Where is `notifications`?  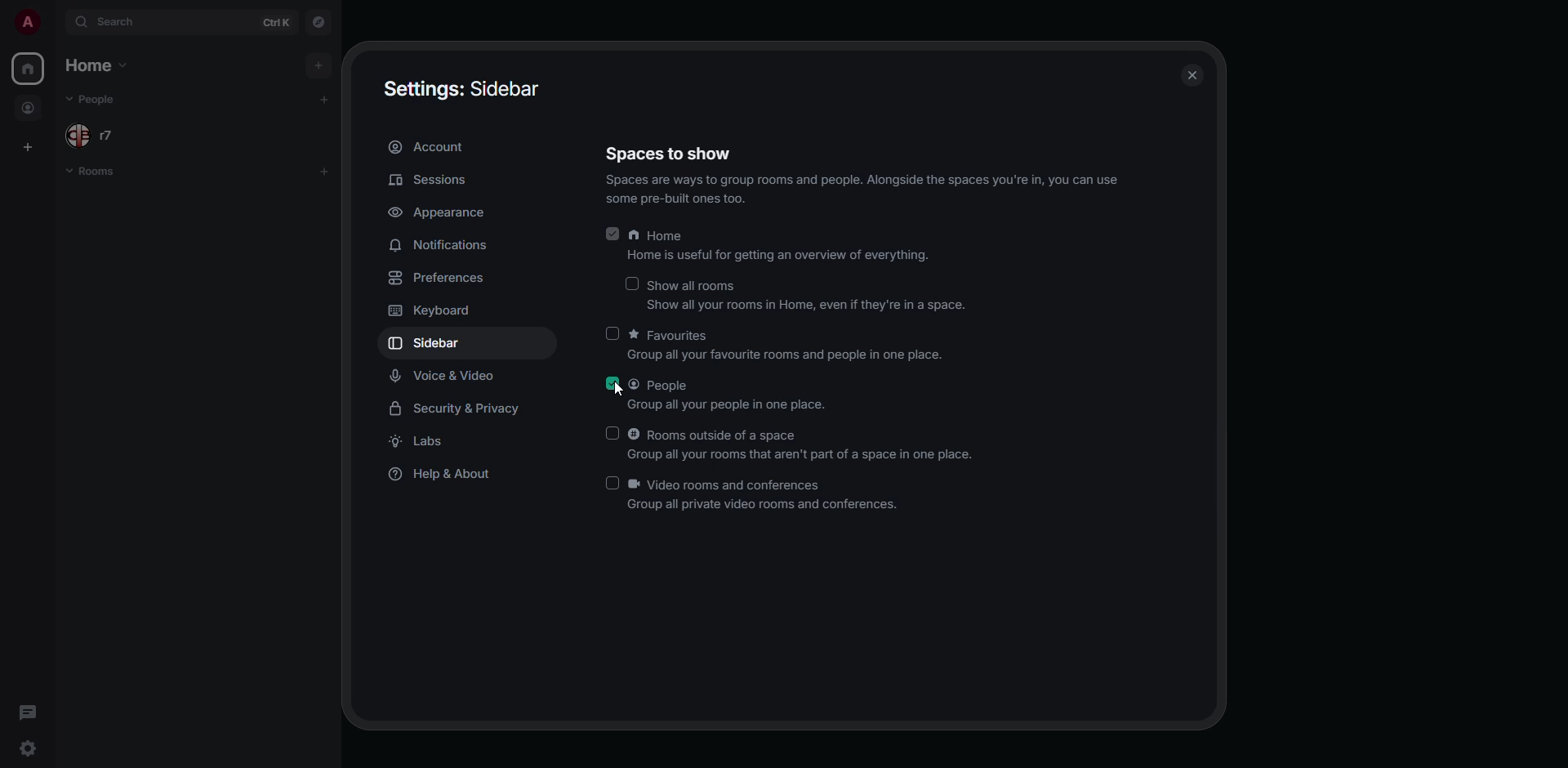 notifications is located at coordinates (442, 246).